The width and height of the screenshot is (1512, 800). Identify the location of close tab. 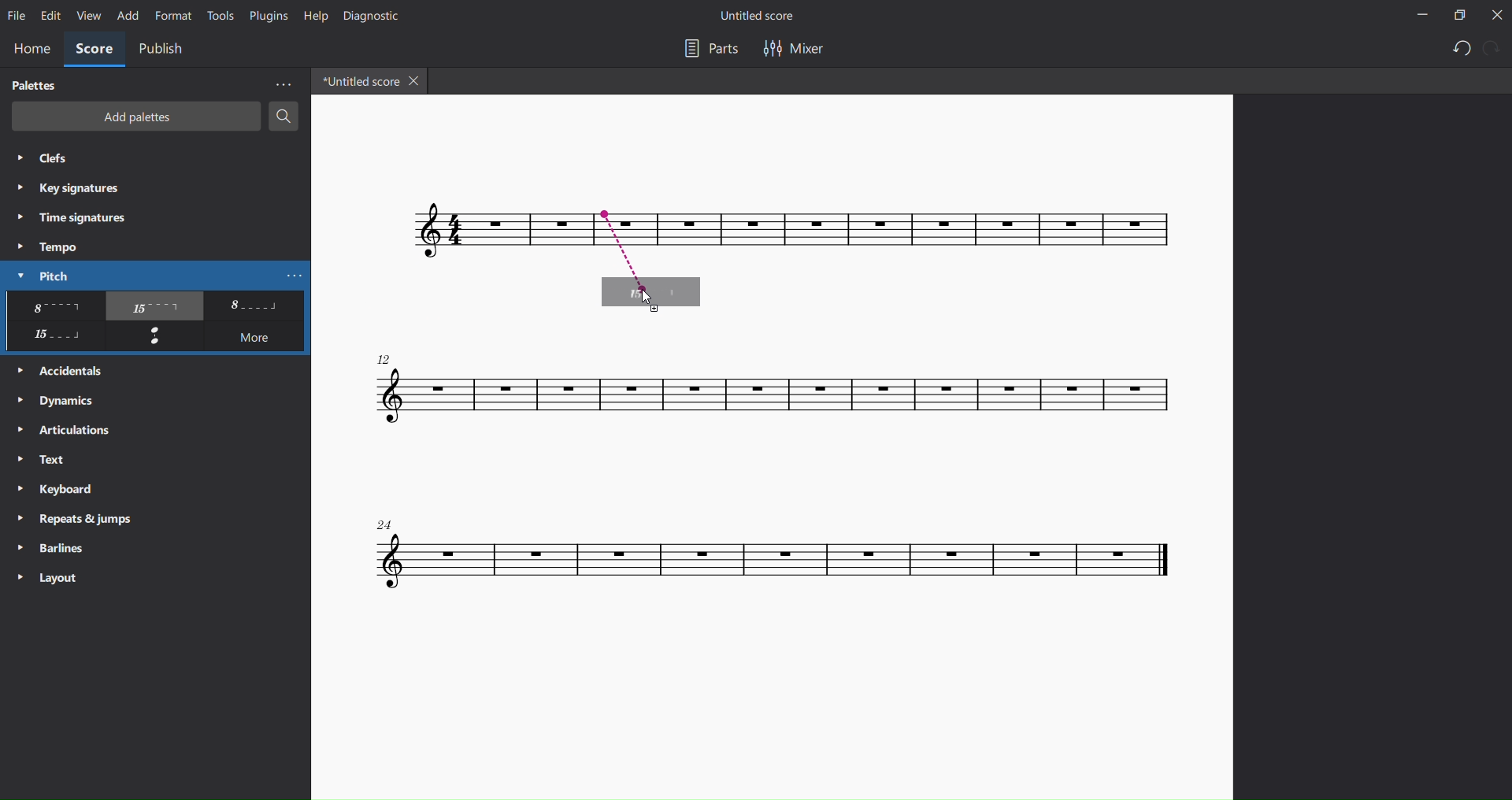
(417, 80).